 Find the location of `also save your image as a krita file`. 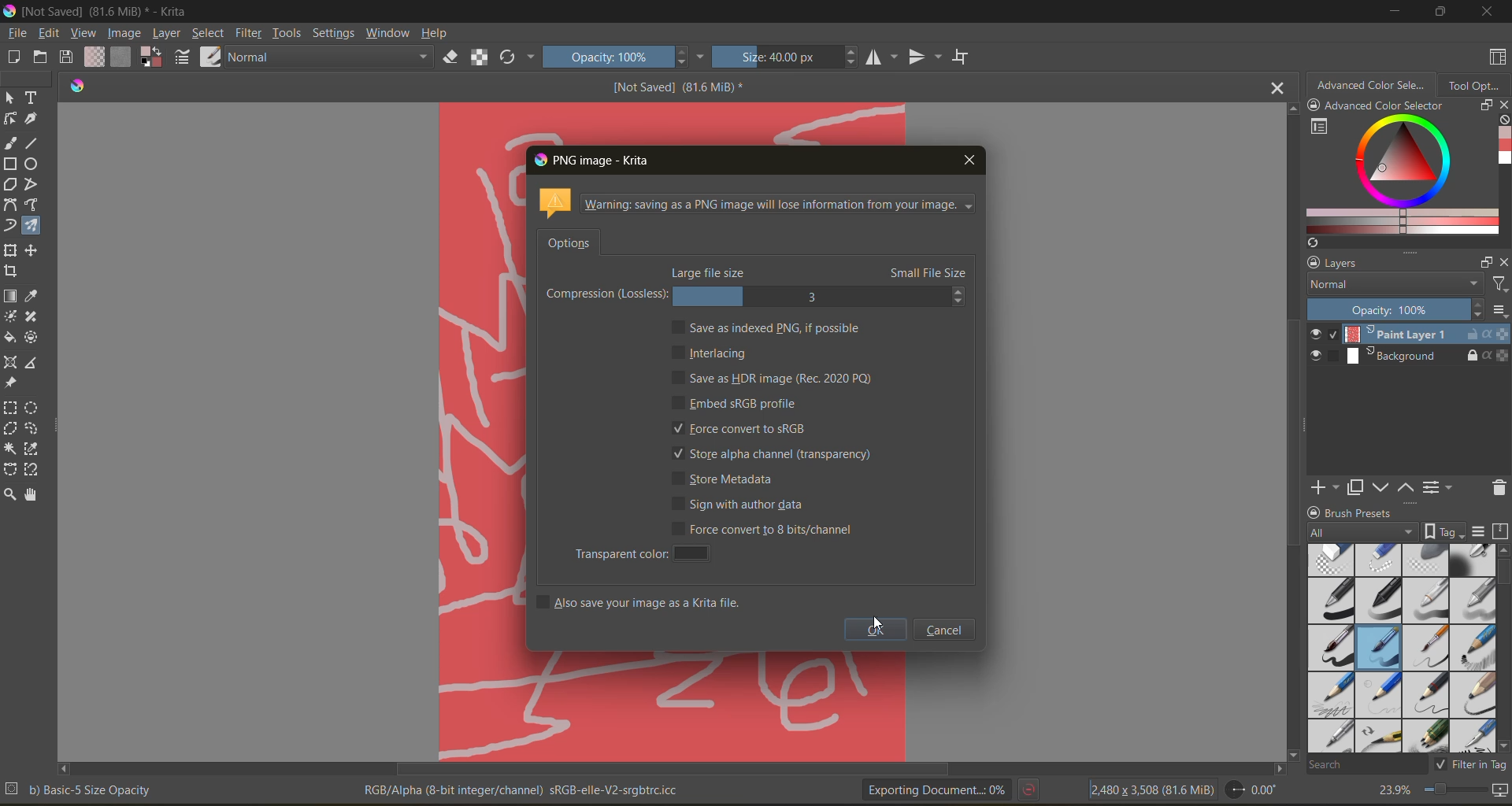

also save your image as a krita file is located at coordinates (642, 603).